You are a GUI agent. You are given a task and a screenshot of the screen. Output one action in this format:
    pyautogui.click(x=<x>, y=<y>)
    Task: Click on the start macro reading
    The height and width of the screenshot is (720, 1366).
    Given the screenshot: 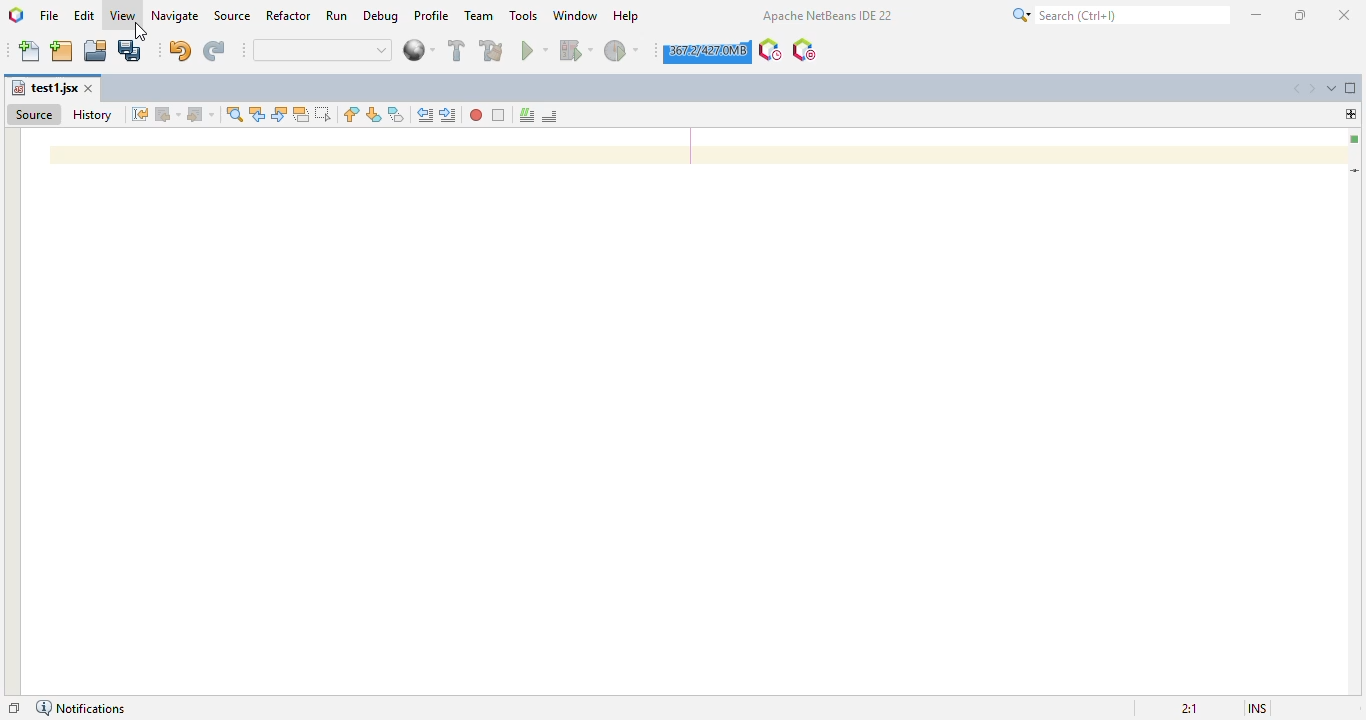 What is the action you would take?
    pyautogui.click(x=477, y=115)
    